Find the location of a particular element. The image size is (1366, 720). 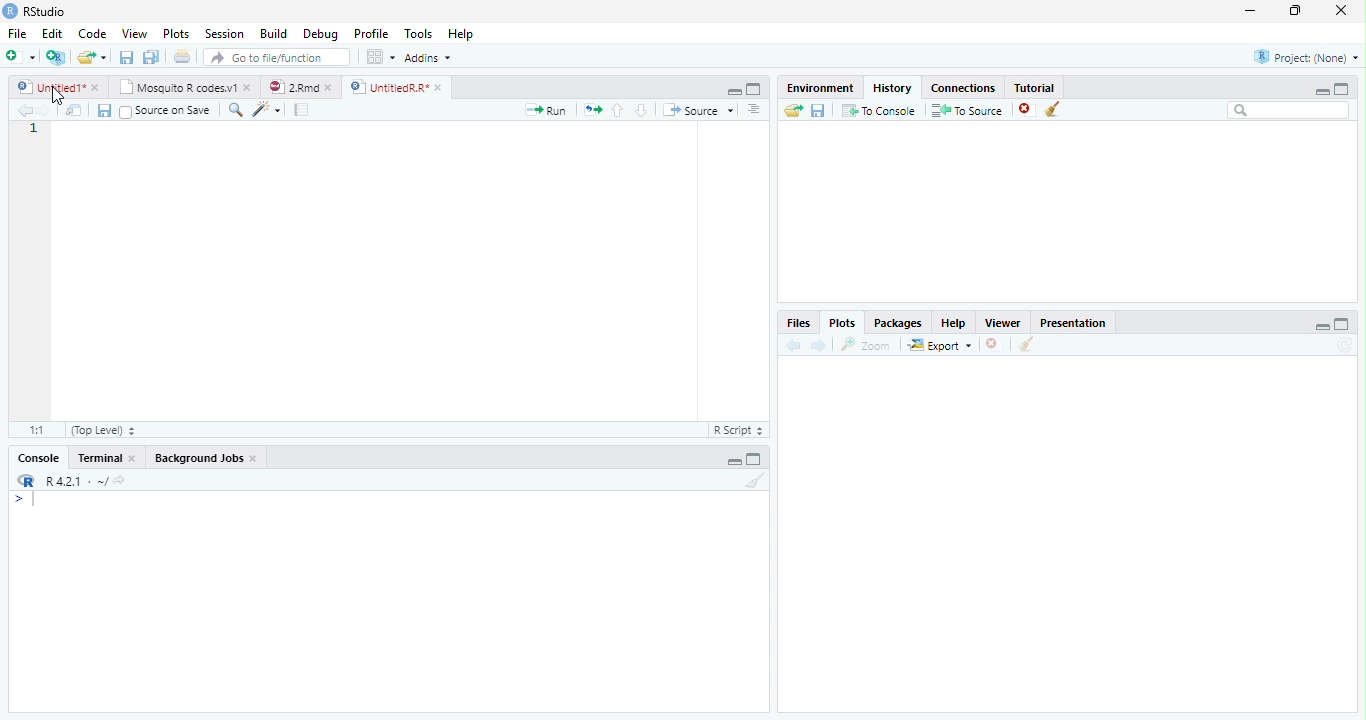

Next plot is located at coordinates (819, 345).